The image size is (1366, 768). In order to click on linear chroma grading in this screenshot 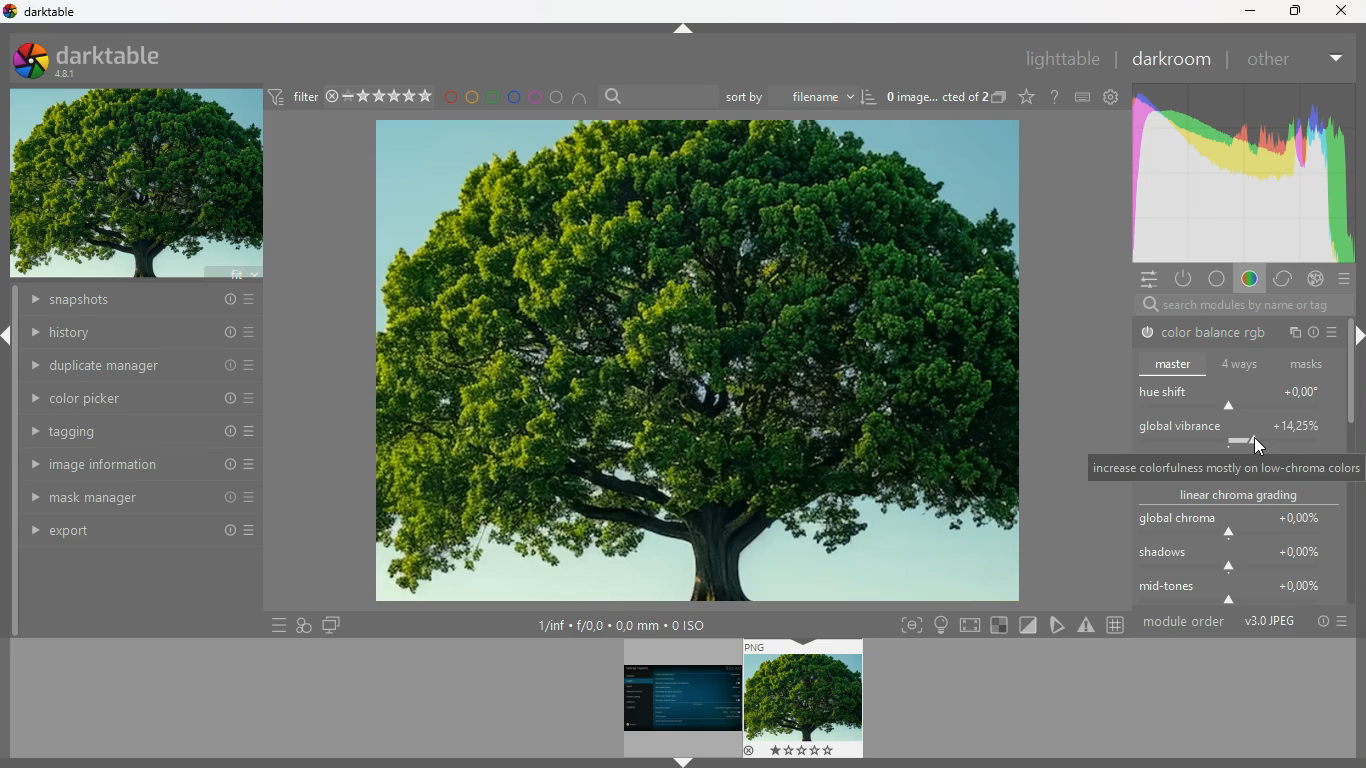, I will do `click(1235, 496)`.